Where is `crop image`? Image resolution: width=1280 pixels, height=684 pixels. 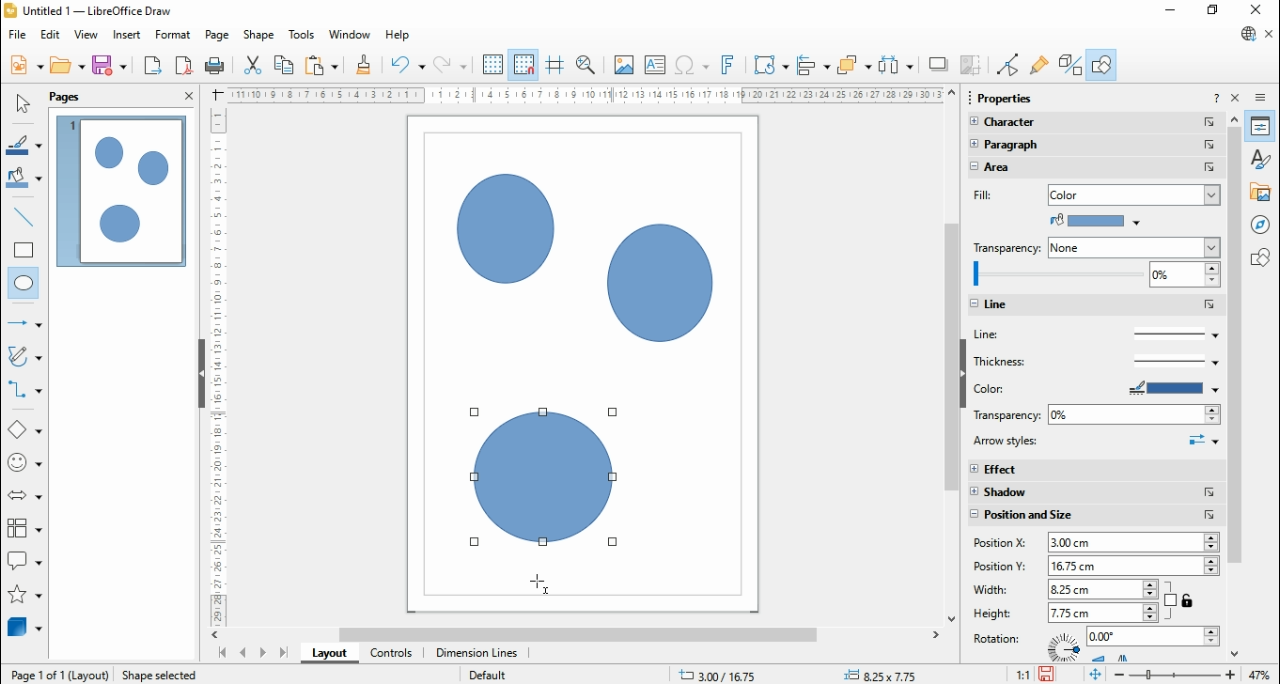
crop image is located at coordinates (973, 65).